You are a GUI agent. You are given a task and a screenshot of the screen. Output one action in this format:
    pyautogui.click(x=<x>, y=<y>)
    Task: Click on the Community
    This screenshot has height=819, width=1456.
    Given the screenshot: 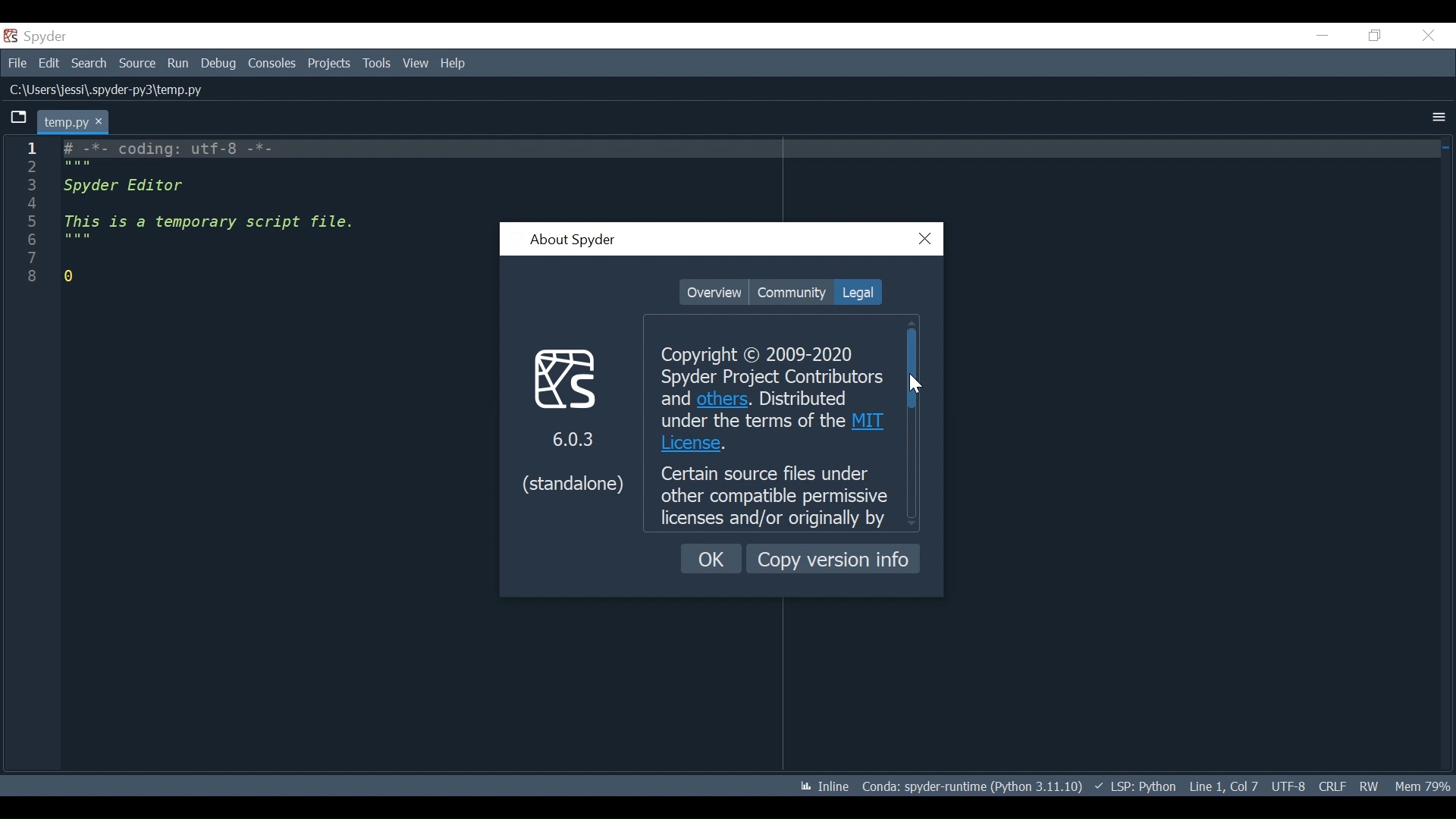 What is the action you would take?
    pyautogui.click(x=791, y=292)
    